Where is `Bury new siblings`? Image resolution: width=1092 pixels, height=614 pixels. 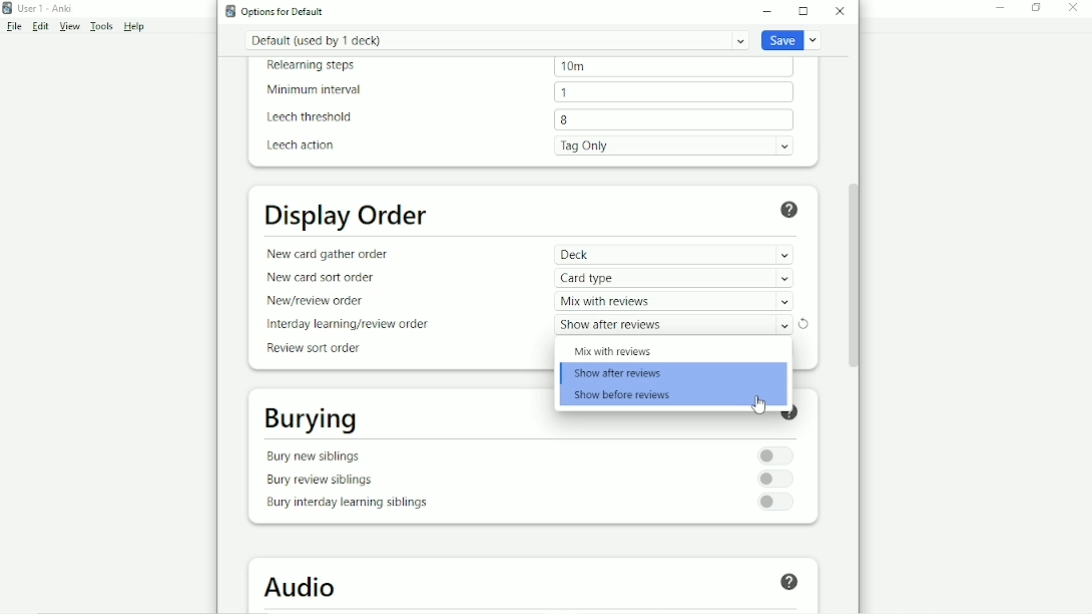 Bury new siblings is located at coordinates (317, 455).